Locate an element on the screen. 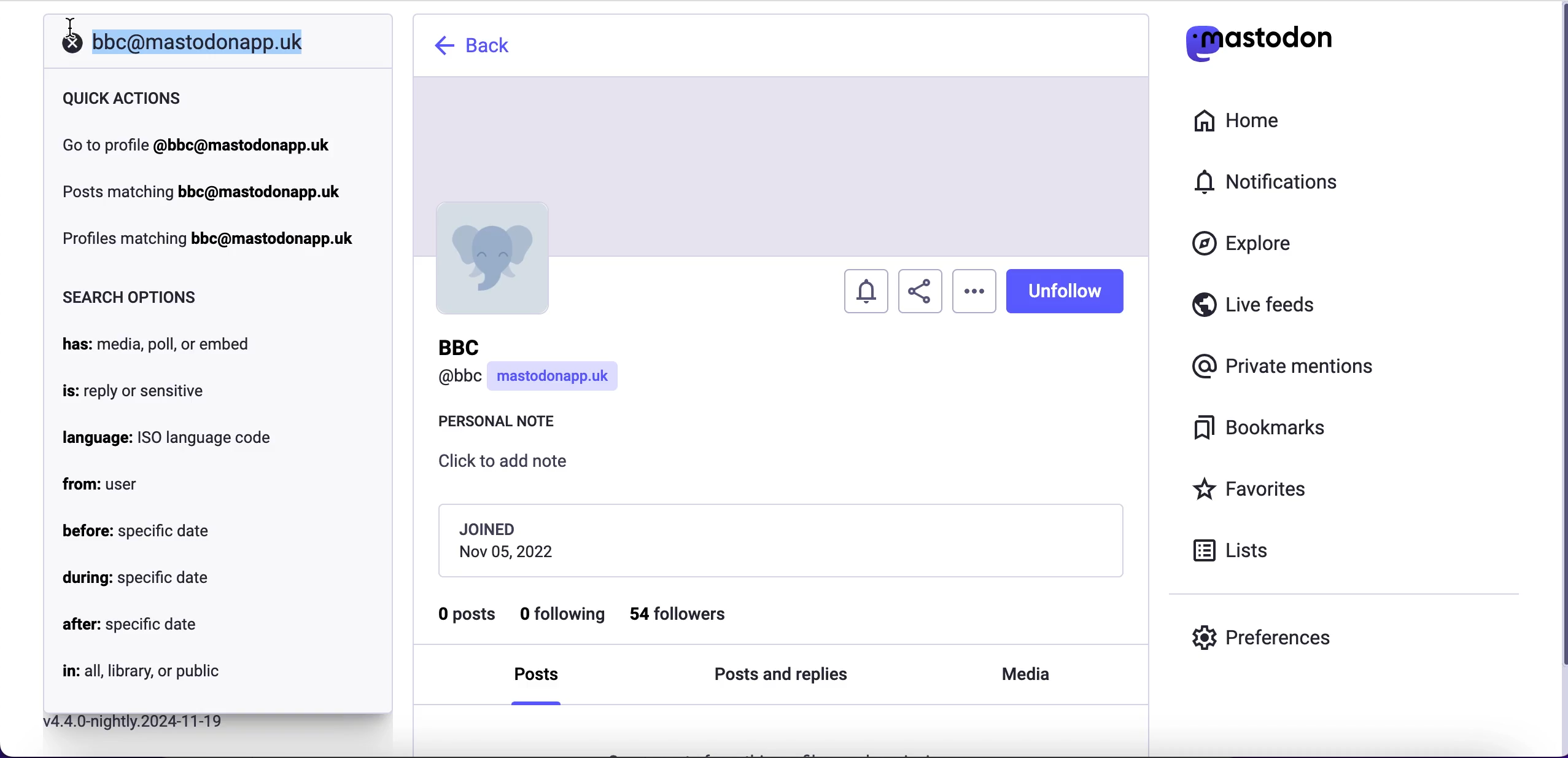 The width and height of the screenshot is (1568, 758). bookmarks is located at coordinates (1263, 428).